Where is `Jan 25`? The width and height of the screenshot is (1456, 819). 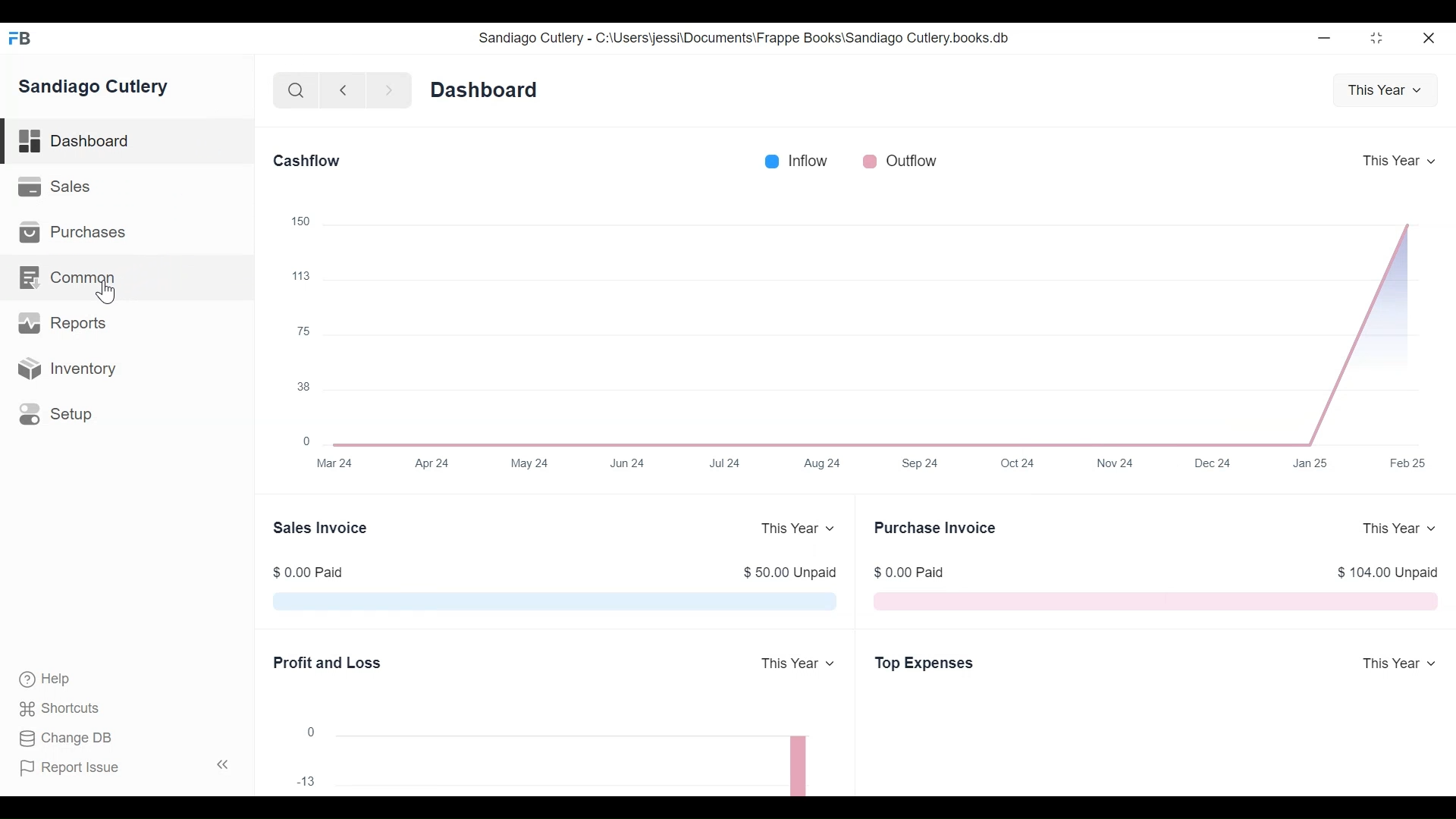
Jan 25 is located at coordinates (1310, 463).